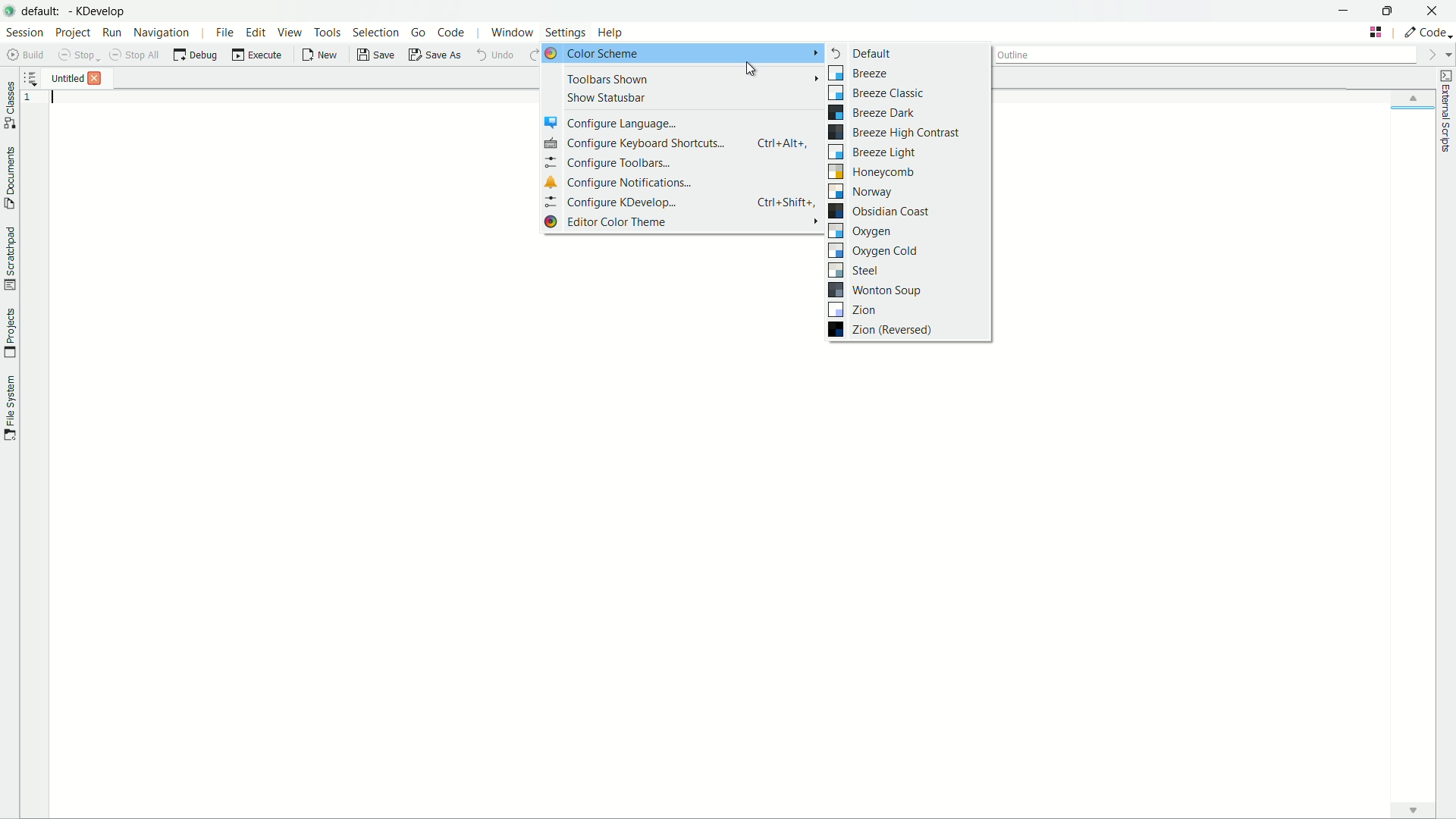  What do you see at coordinates (607, 97) in the screenshot?
I see `show statusbar` at bounding box center [607, 97].